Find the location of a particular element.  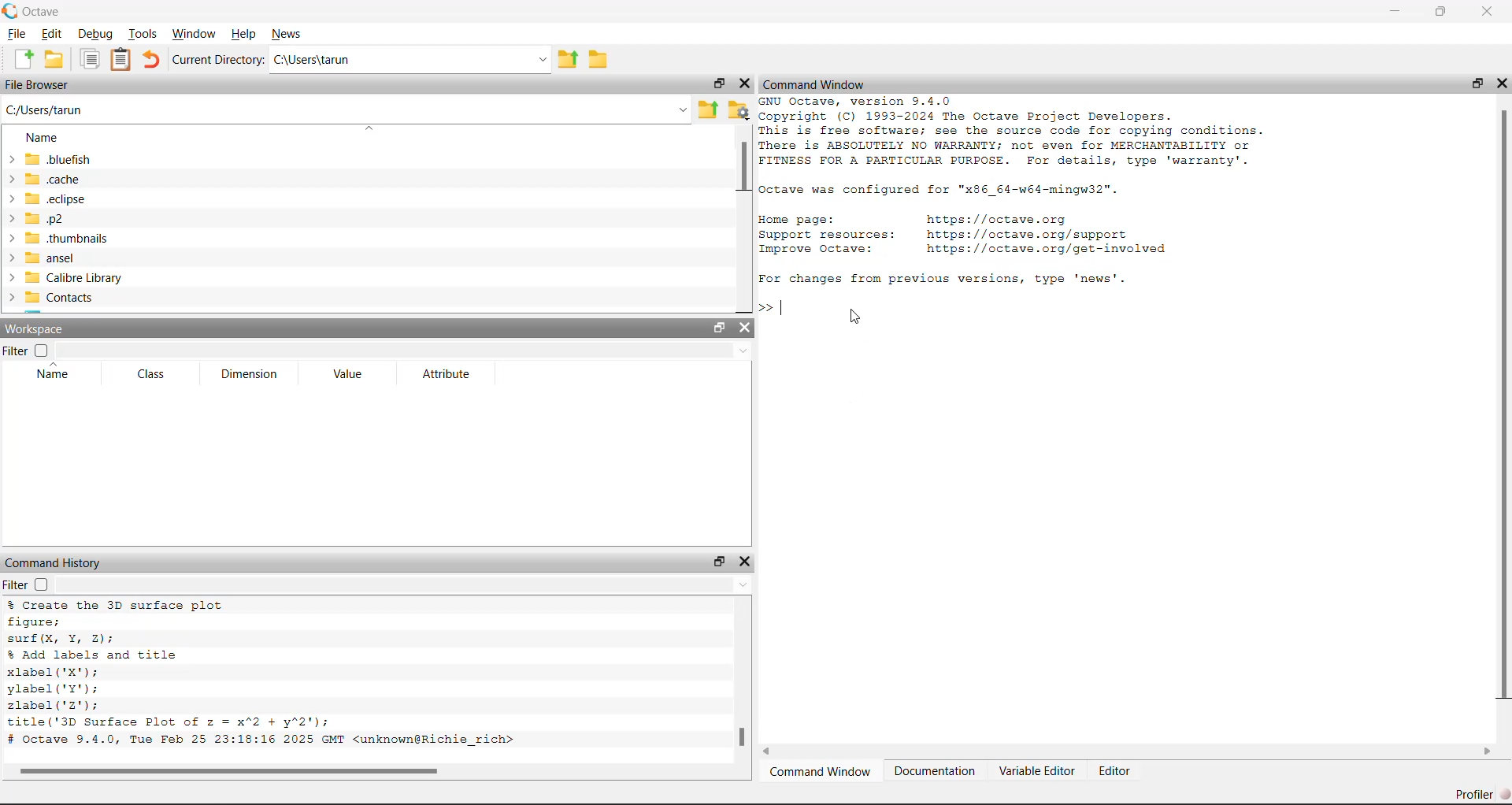

Variable Editor is located at coordinates (1036, 770).